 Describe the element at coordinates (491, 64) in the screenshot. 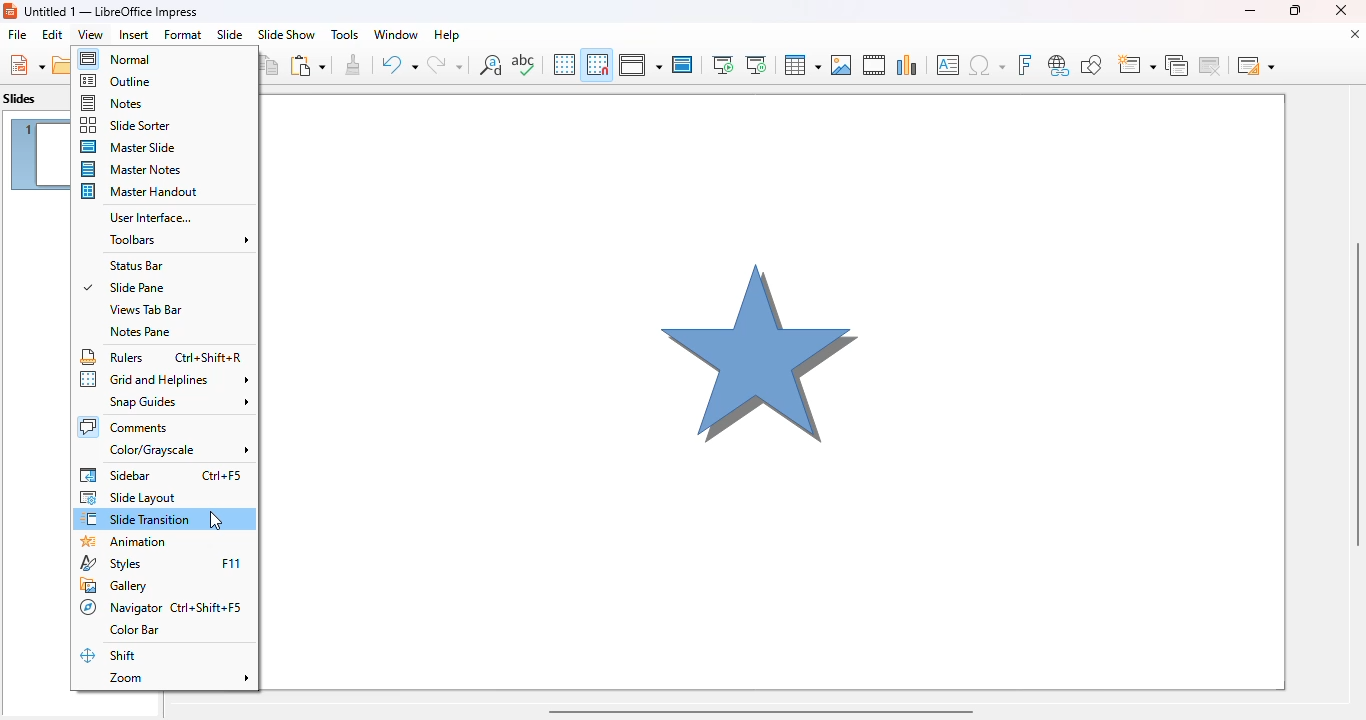

I see `find and replace` at that location.